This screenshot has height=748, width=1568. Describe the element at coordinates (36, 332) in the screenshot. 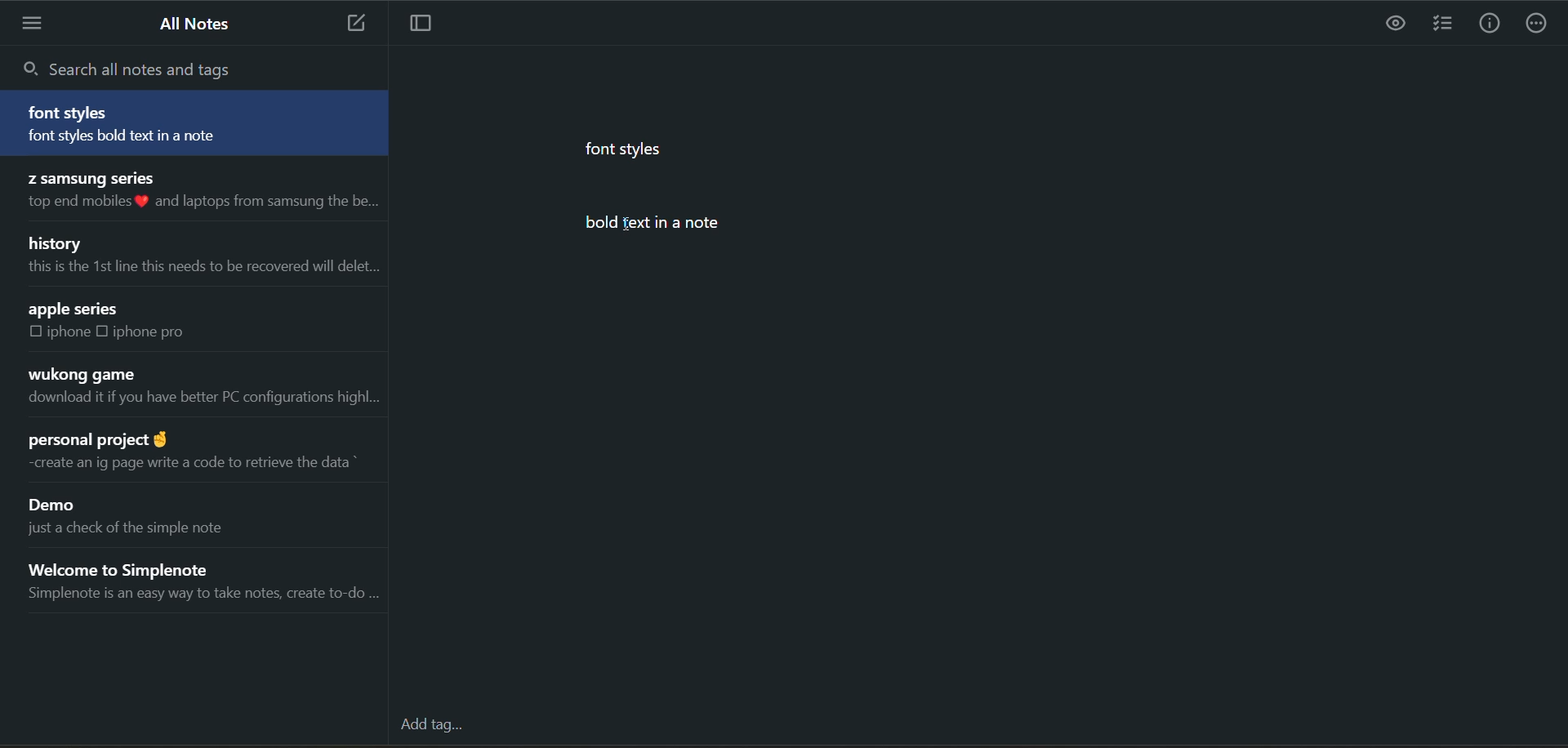

I see `checkbox` at that location.